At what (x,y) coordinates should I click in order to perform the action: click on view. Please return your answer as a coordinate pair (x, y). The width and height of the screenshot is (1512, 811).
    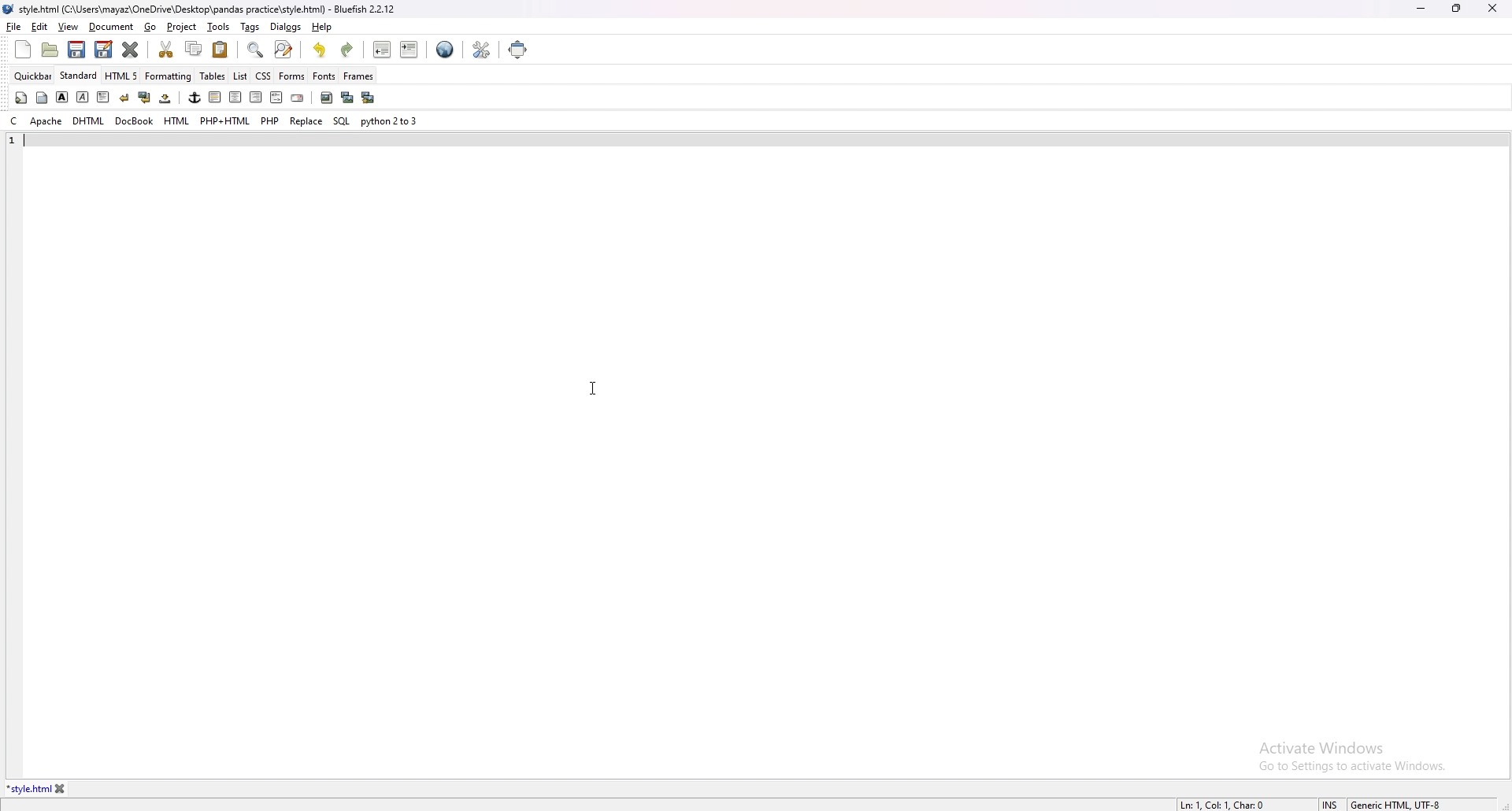
    Looking at the image, I should click on (68, 27).